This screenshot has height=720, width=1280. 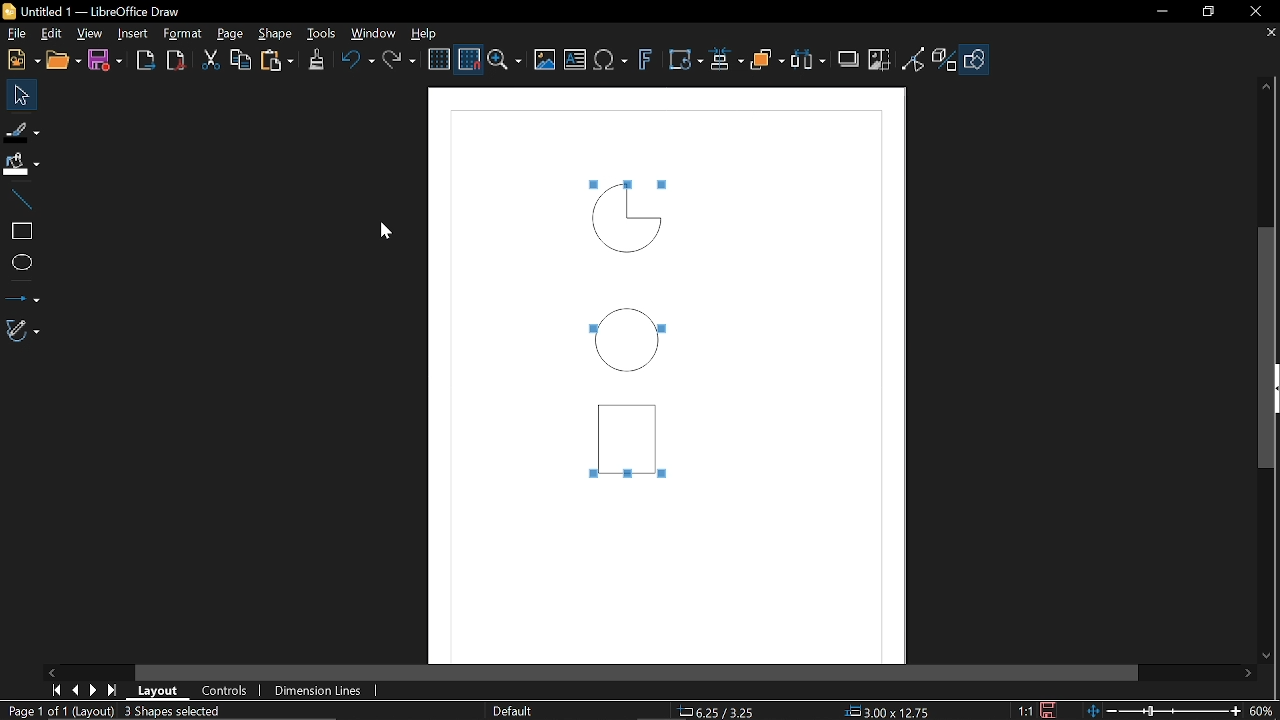 What do you see at coordinates (668, 329) in the screenshot?
I see `Tiny squares sound selected objects` at bounding box center [668, 329].